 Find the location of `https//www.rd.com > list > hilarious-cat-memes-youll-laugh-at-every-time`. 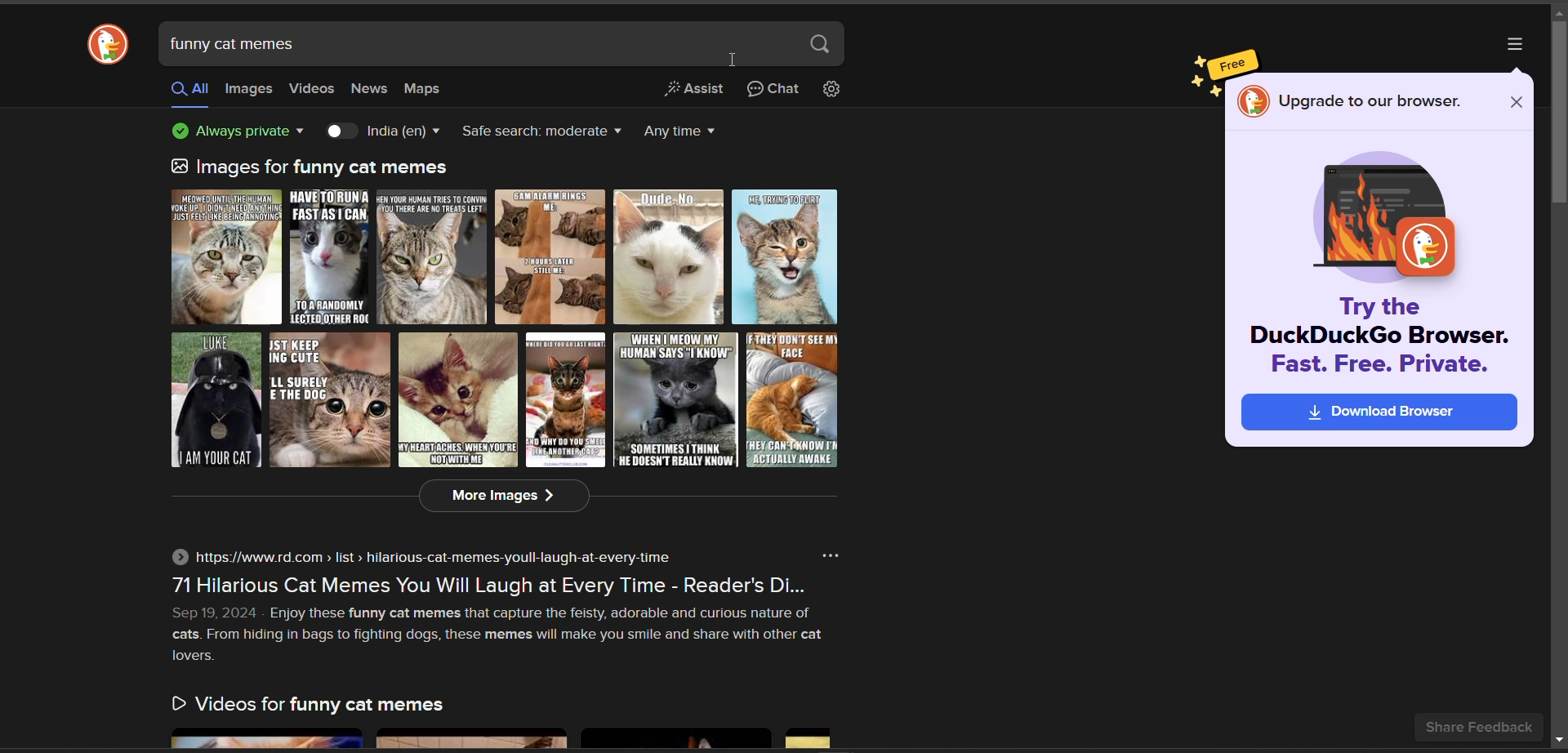

https//www.rd.com > list > hilarious-cat-memes-youll-laugh-at-every-time is located at coordinates (419, 557).